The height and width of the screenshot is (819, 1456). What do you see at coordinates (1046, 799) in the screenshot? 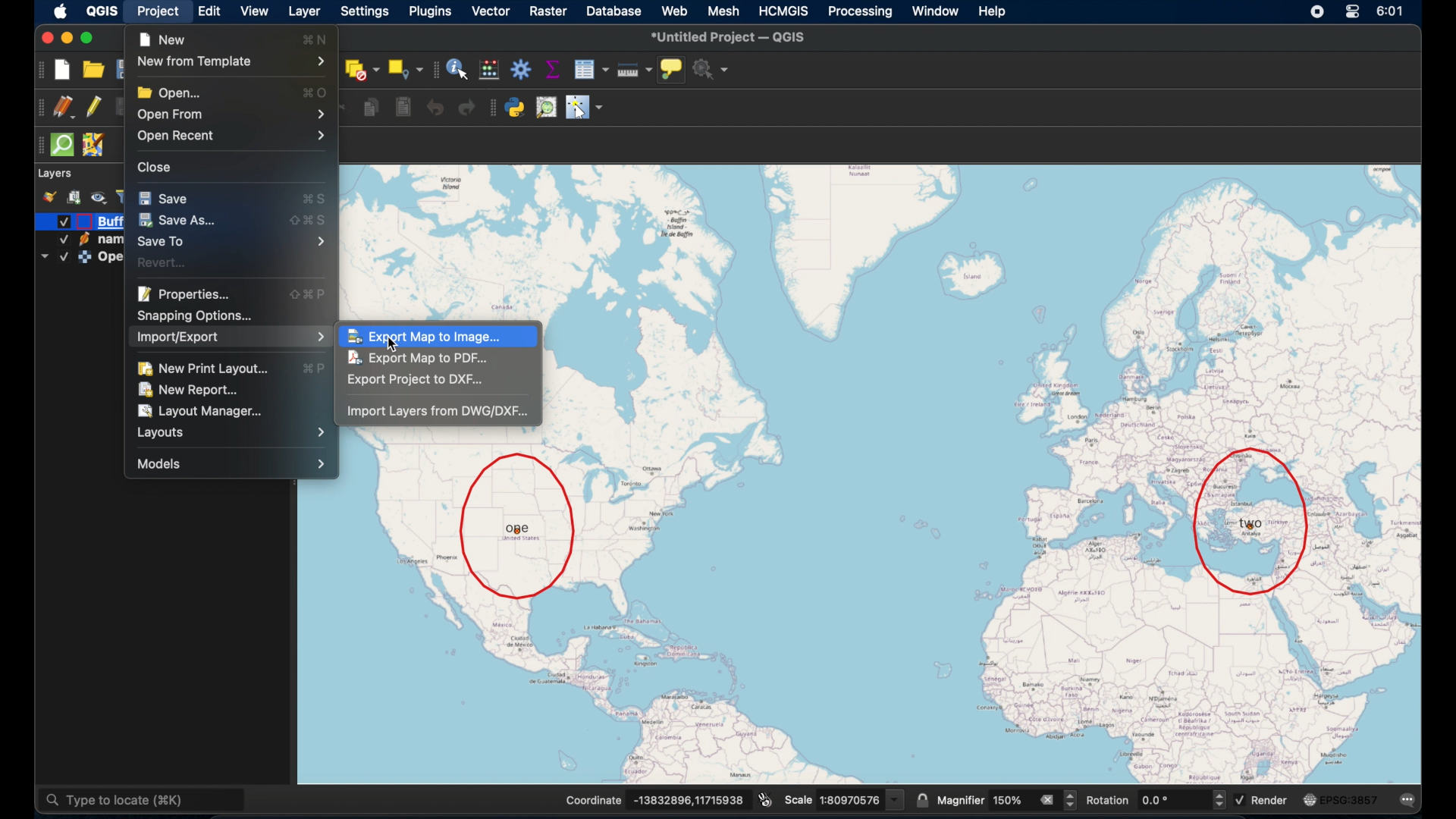
I see `remove all` at bounding box center [1046, 799].